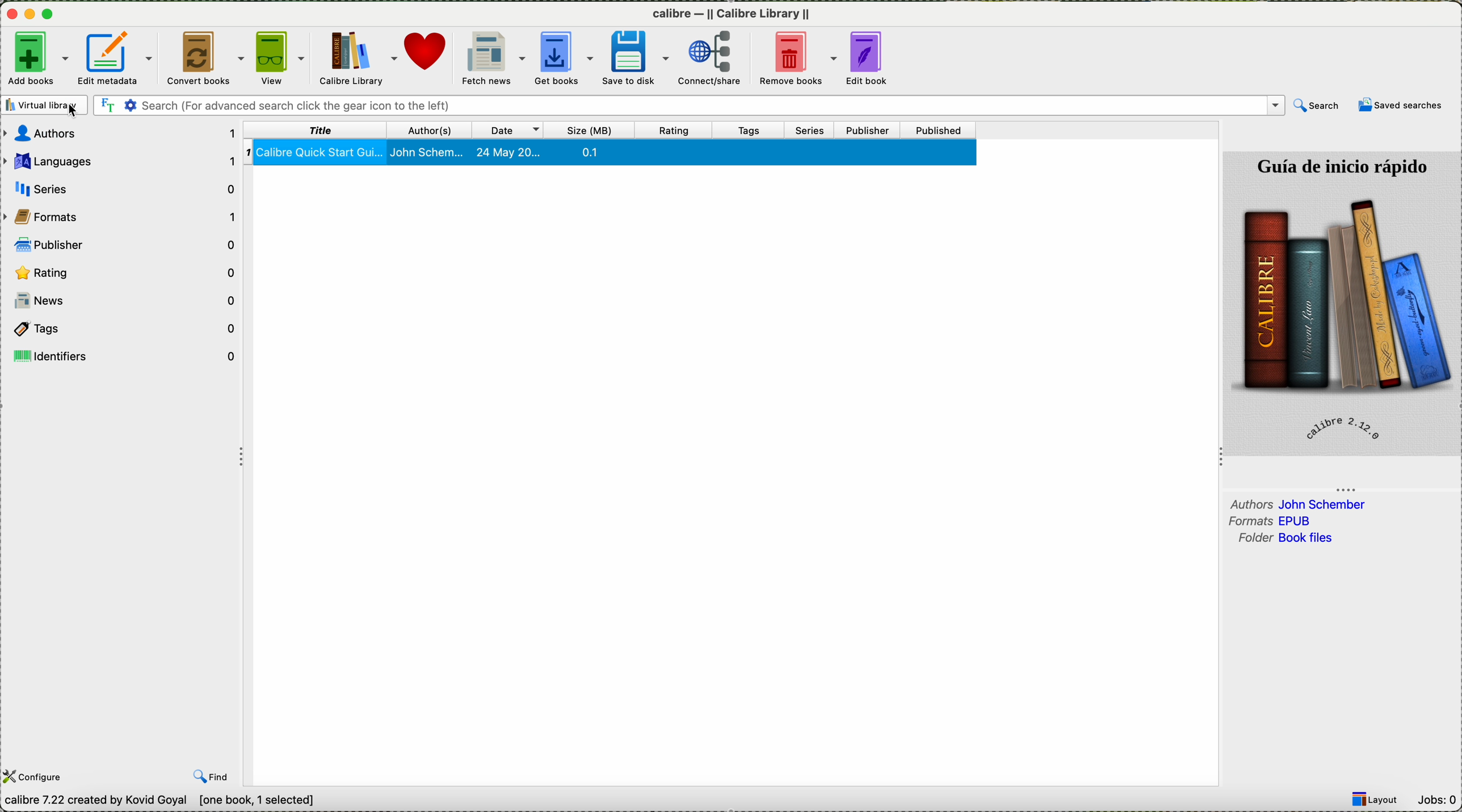  What do you see at coordinates (802, 59) in the screenshot?
I see `remove books` at bounding box center [802, 59].